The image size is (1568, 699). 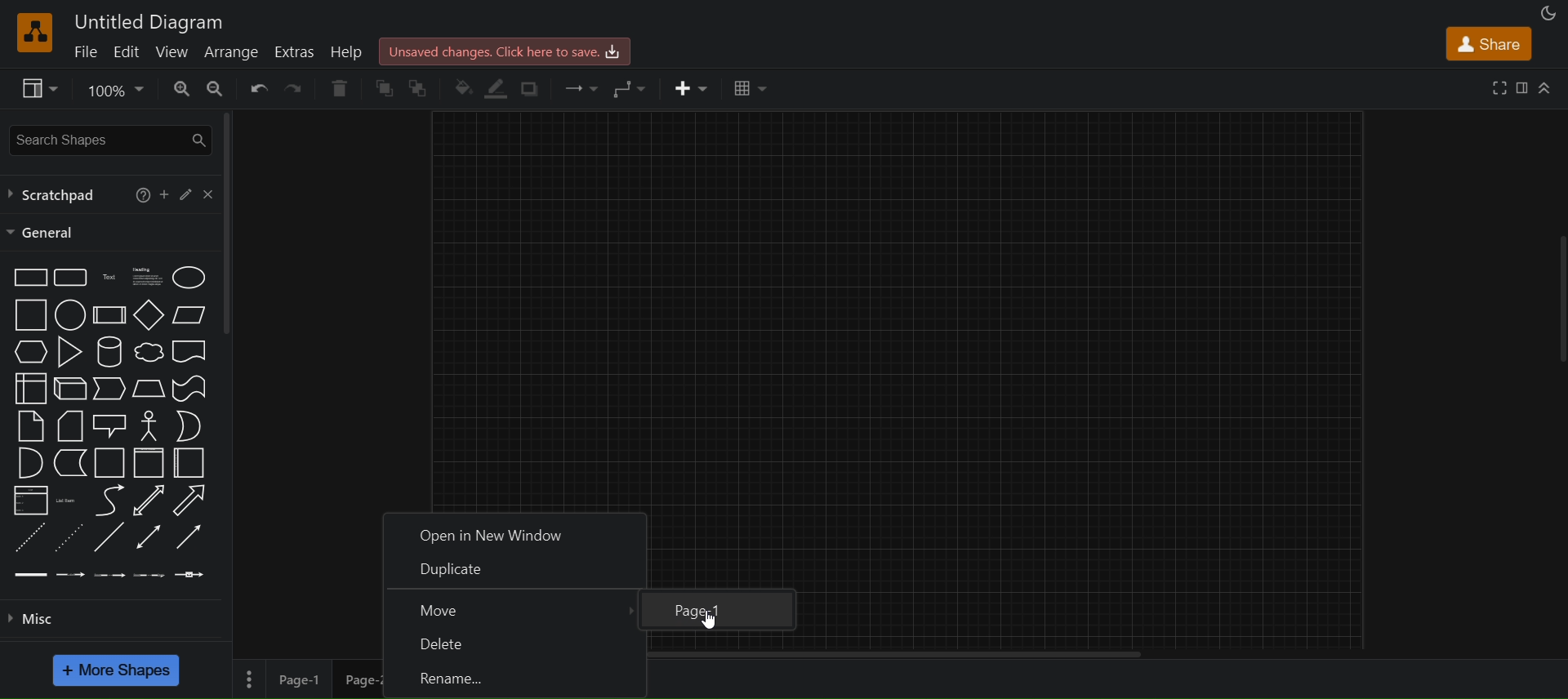 I want to click on to front, so click(x=385, y=88).